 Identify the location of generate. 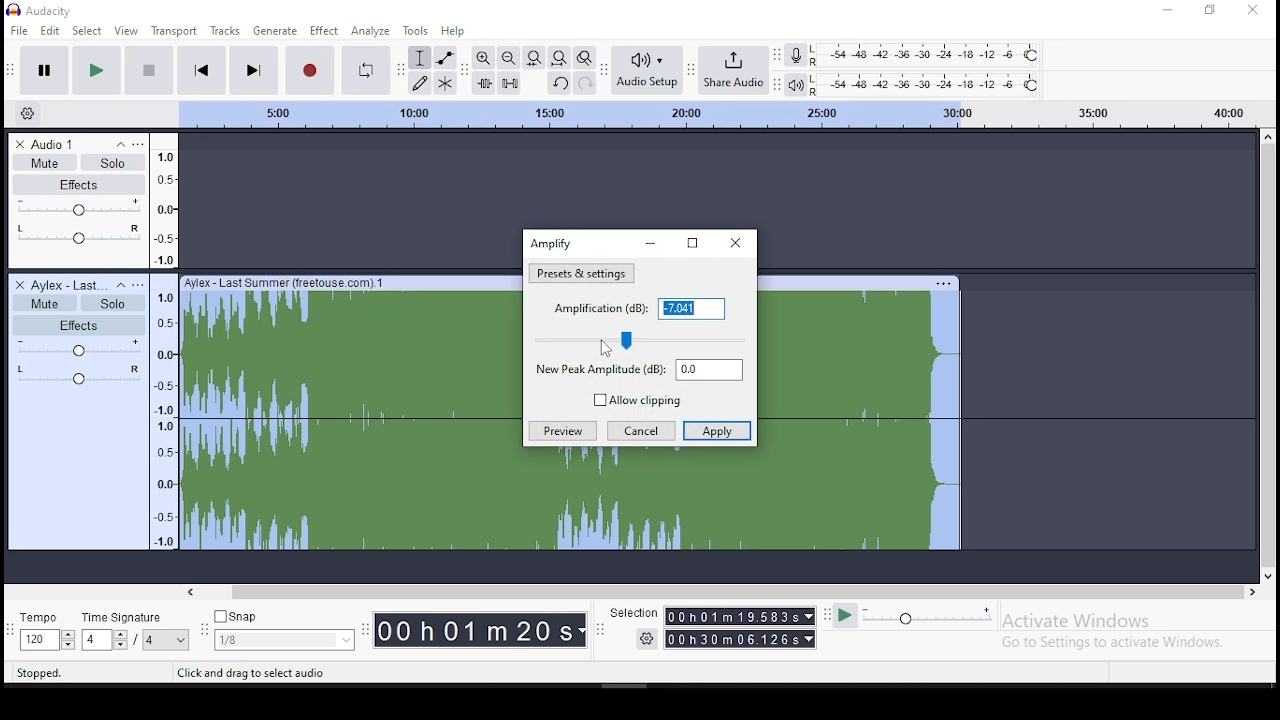
(277, 31).